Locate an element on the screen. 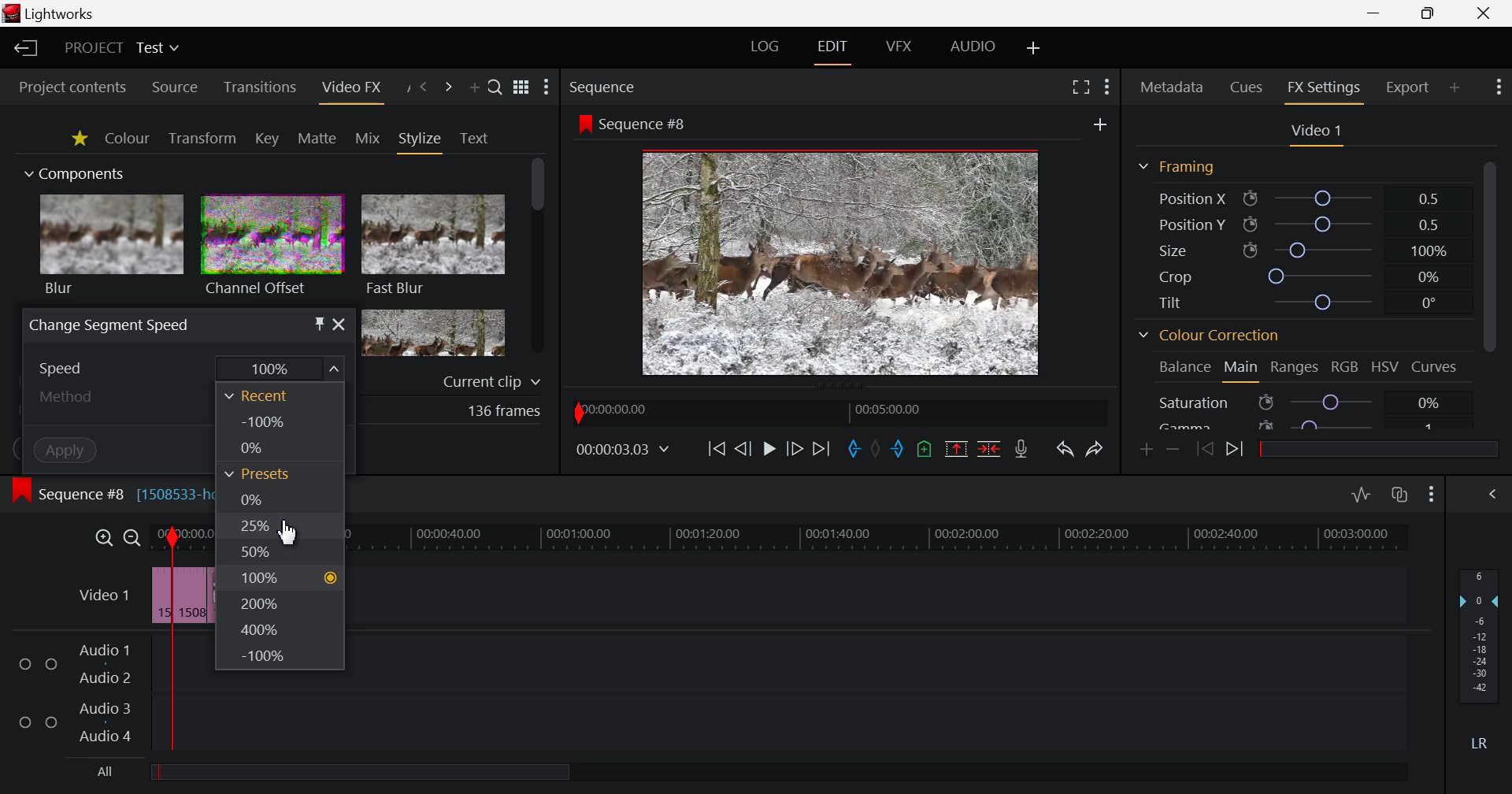 This screenshot has height=794, width=1512. Mix is located at coordinates (368, 138).